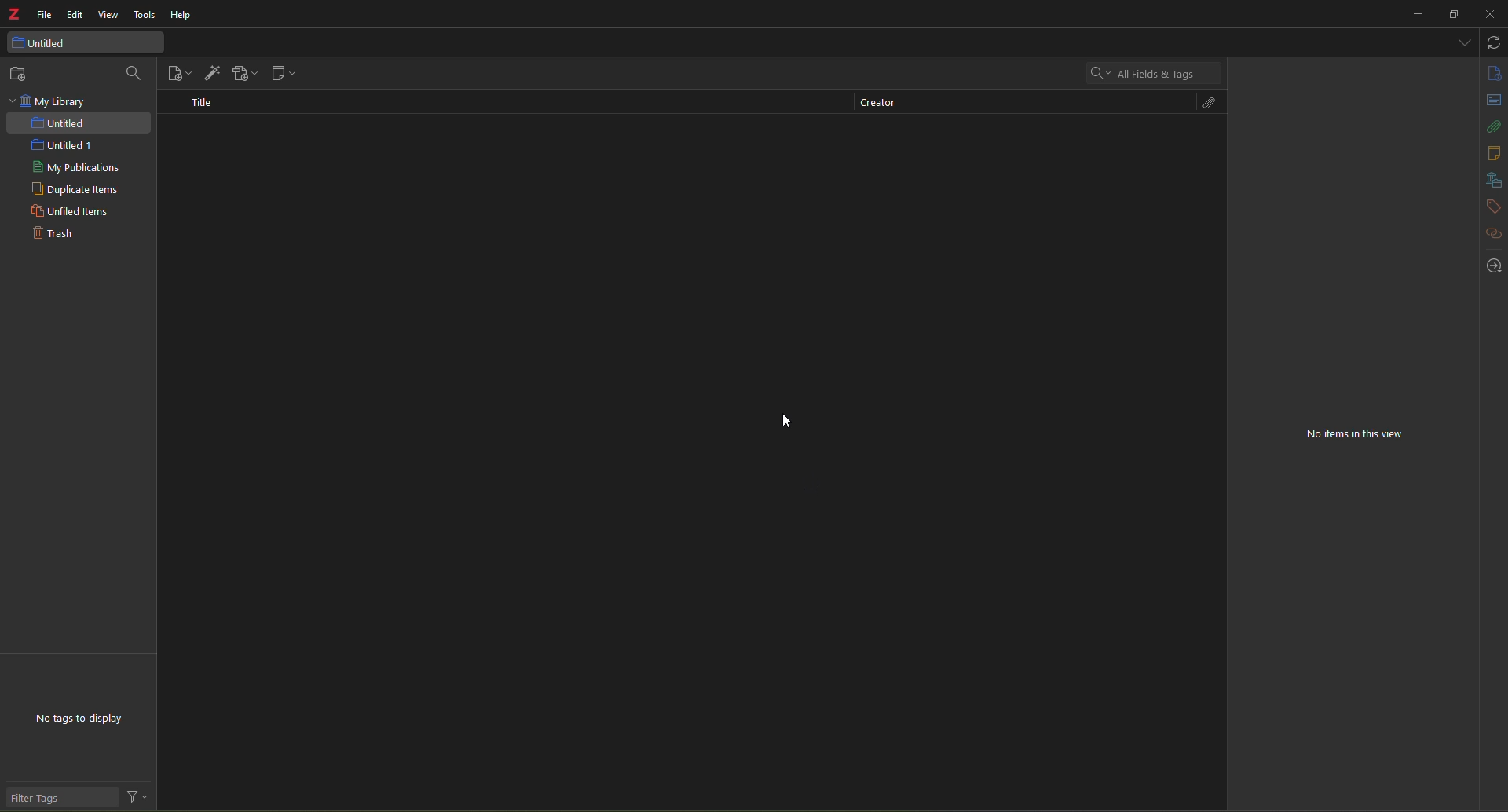 Image resolution: width=1508 pixels, height=812 pixels. I want to click on attach, so click(1495, 126).